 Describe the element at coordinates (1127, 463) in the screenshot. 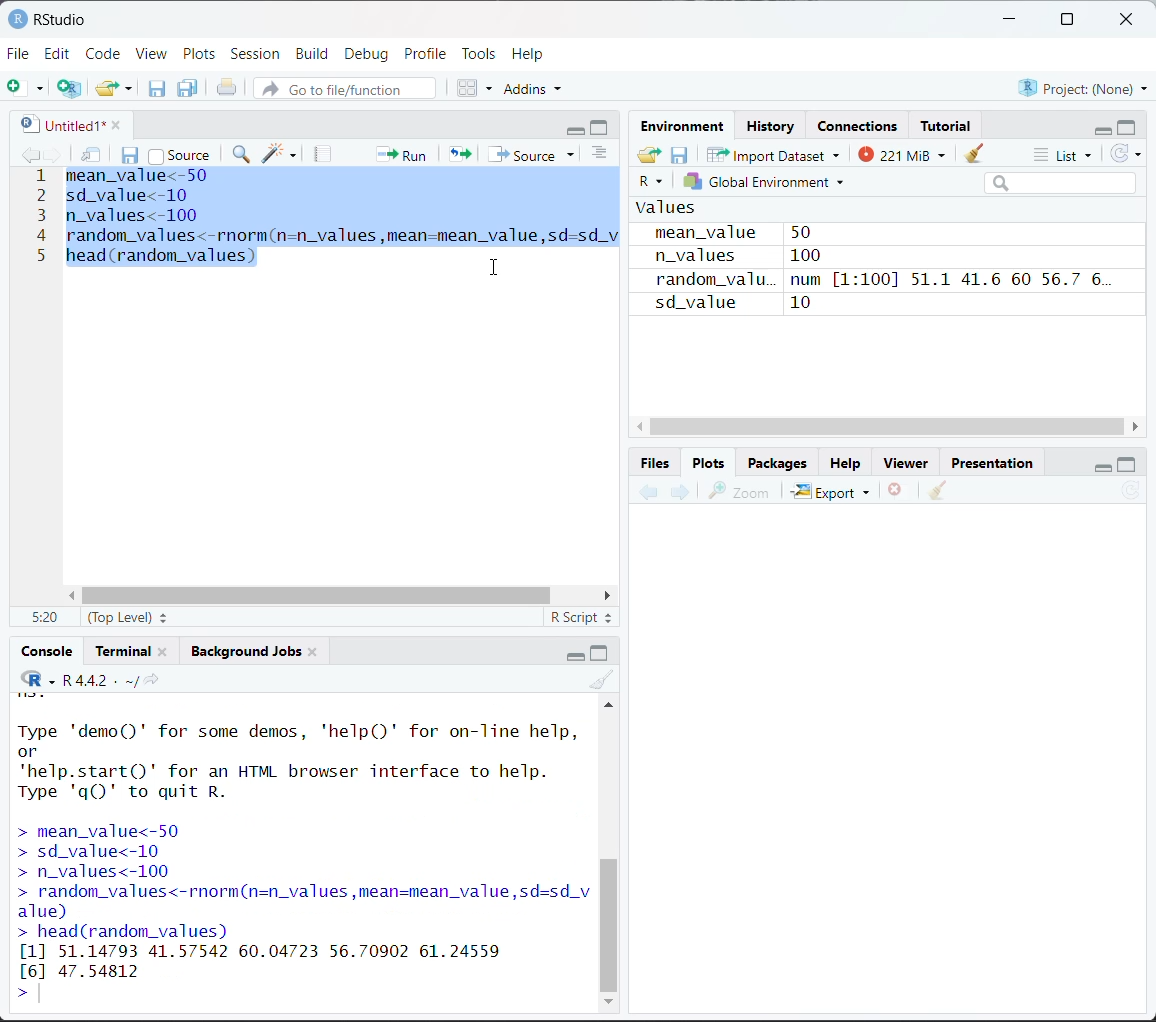

I see `maximize` at that location.